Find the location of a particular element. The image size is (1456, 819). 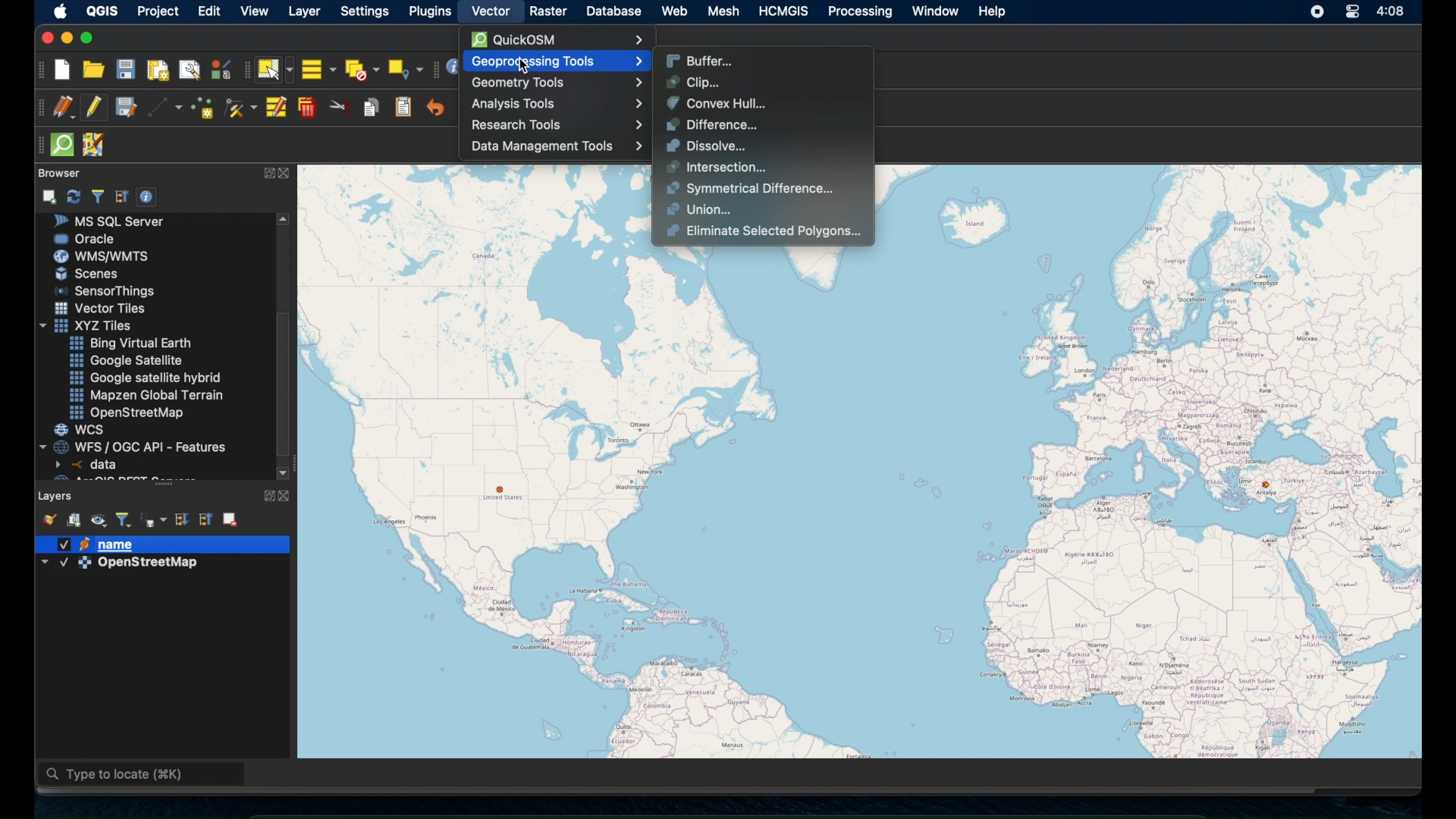

expand all is located at coordinates (180, 518).